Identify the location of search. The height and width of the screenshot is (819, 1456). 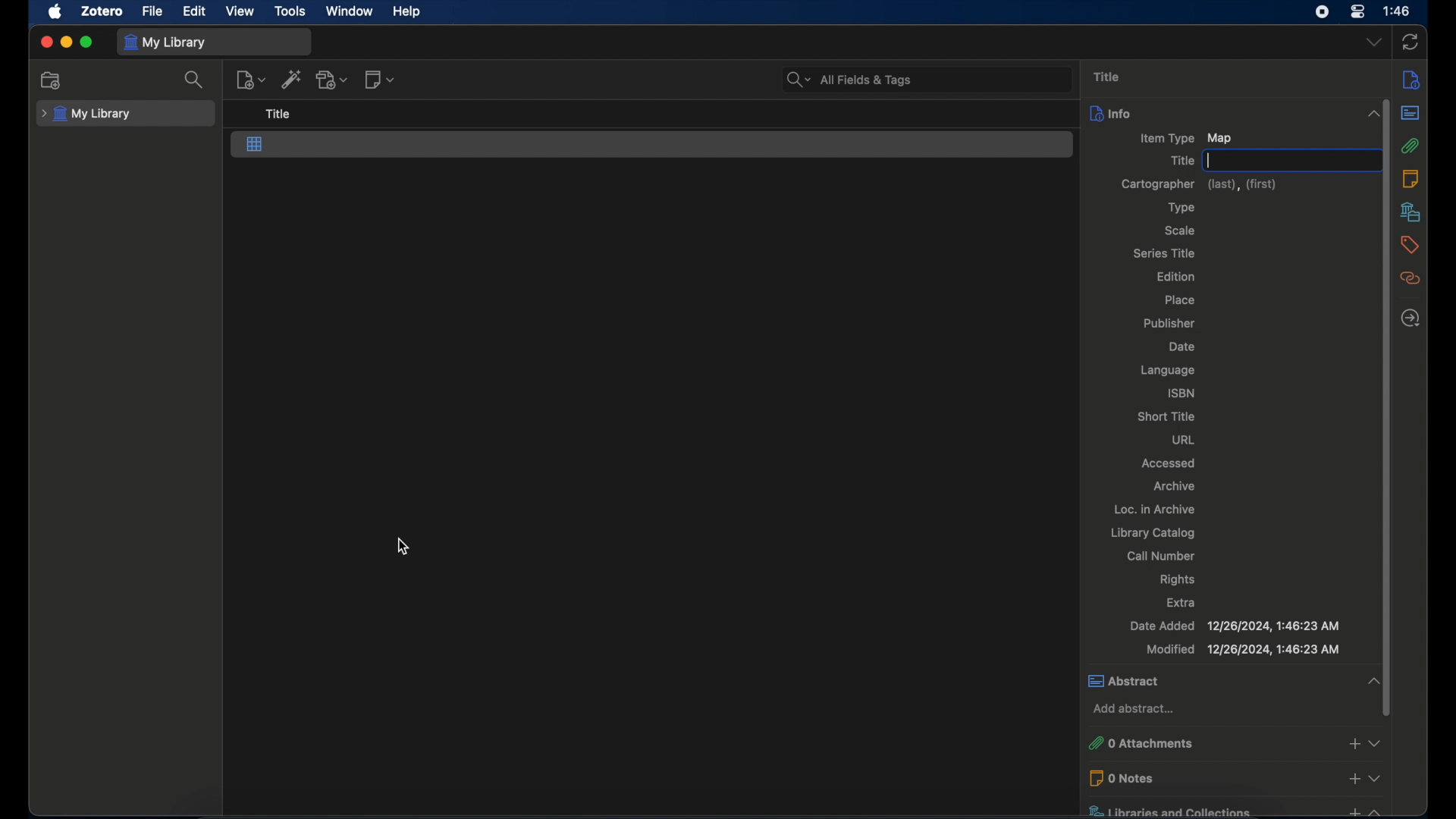
(196, 80).